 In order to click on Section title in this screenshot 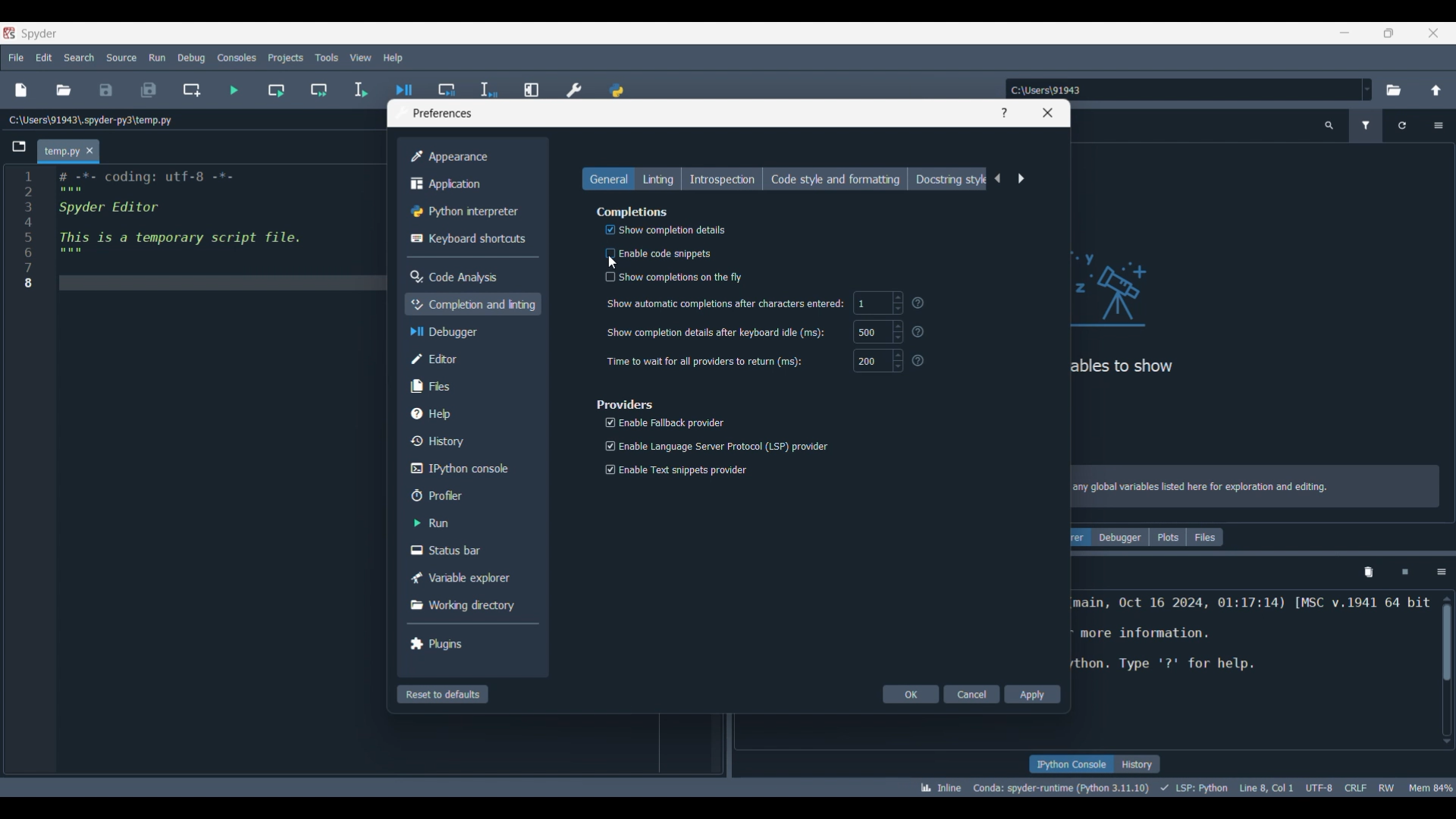, I will do `click(626, 404)`.